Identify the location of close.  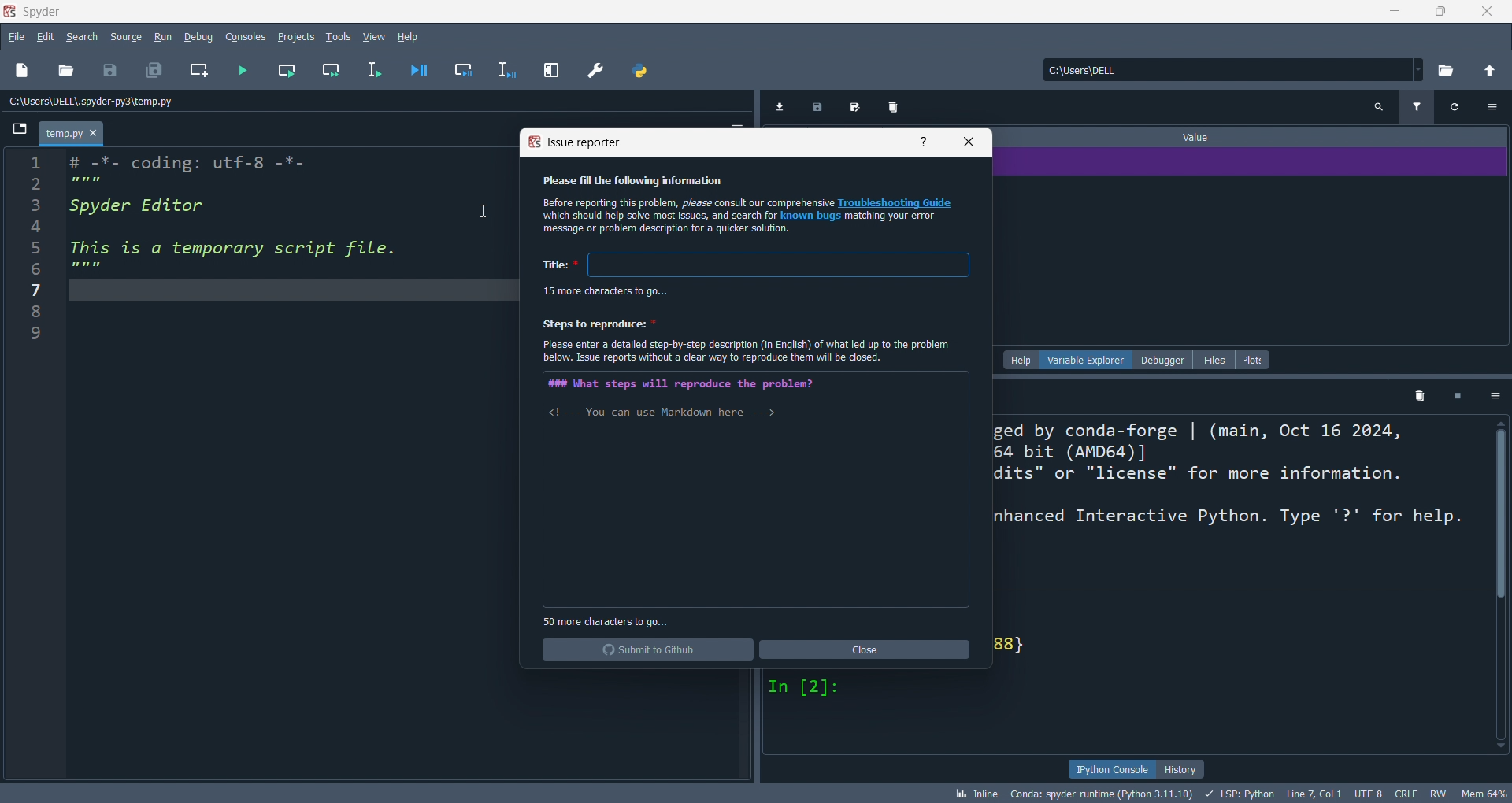
(866, 649).